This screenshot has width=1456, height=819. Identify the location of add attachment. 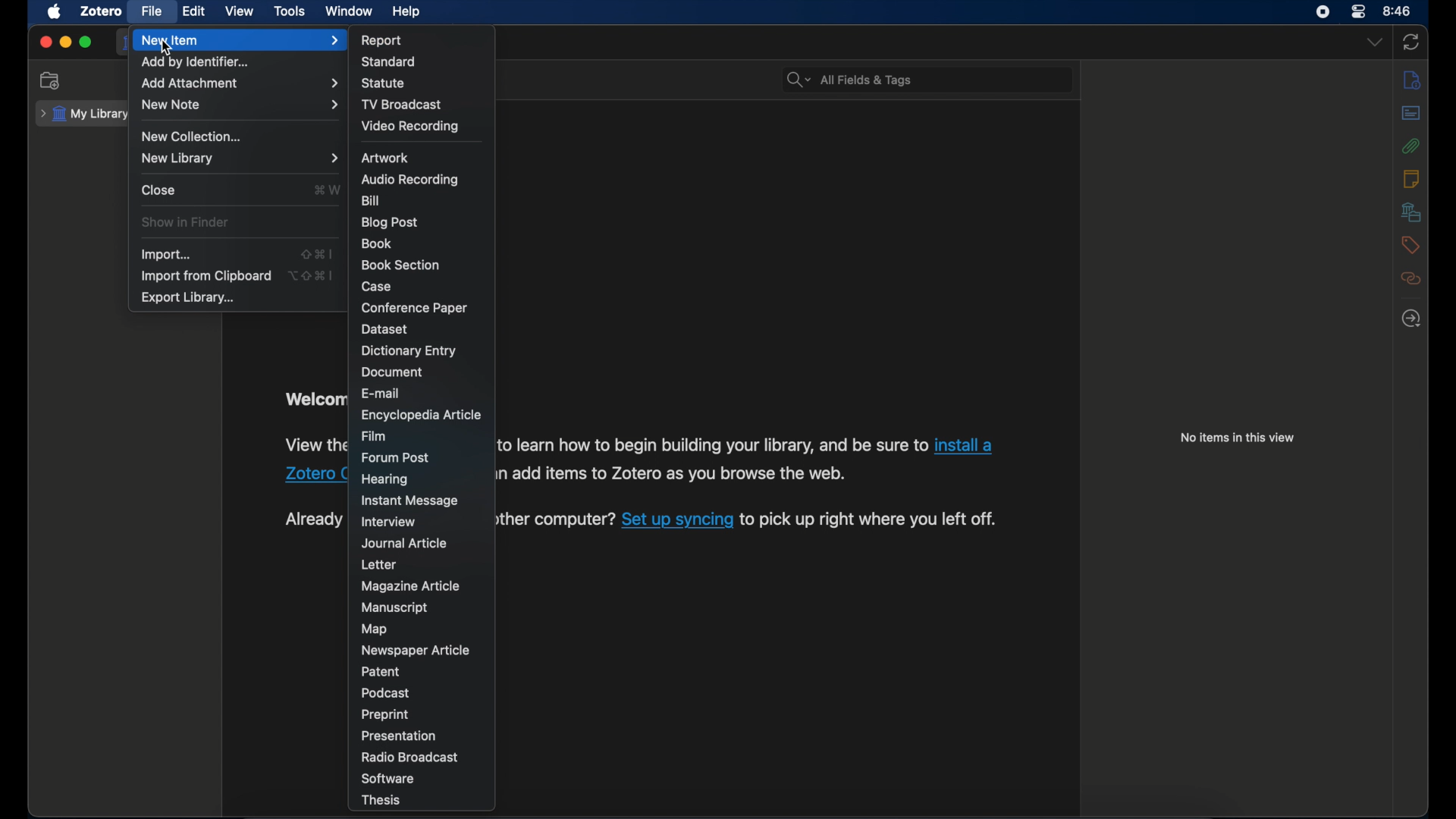
(238, 84).